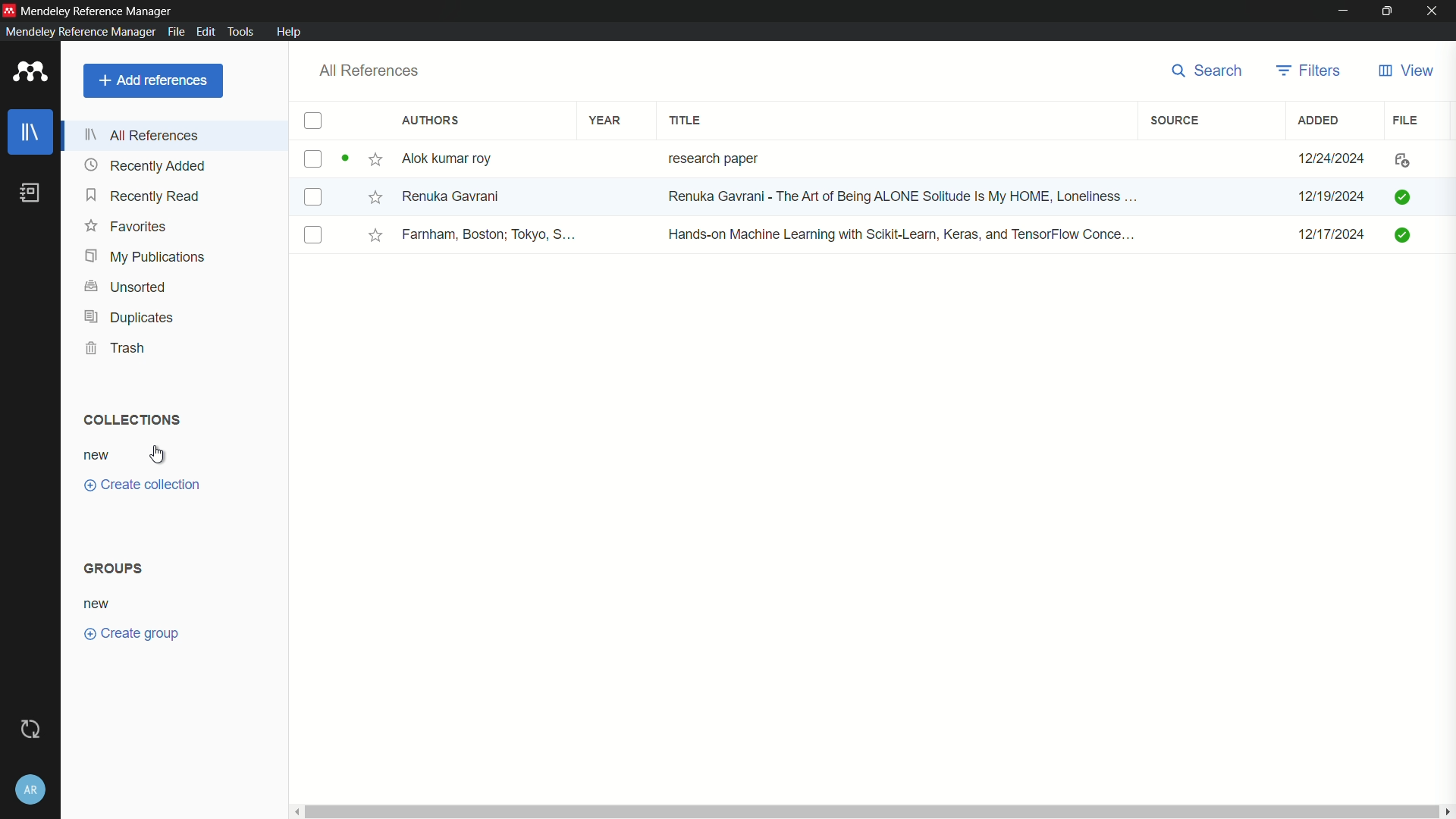  What do you see at coordinates (913, 196) in the screenshot?
I see `Renuka Gavrani - The Art of Being ALONE Solitude Is My HOME, Loneliness ...` at bounding box center [913, 196].